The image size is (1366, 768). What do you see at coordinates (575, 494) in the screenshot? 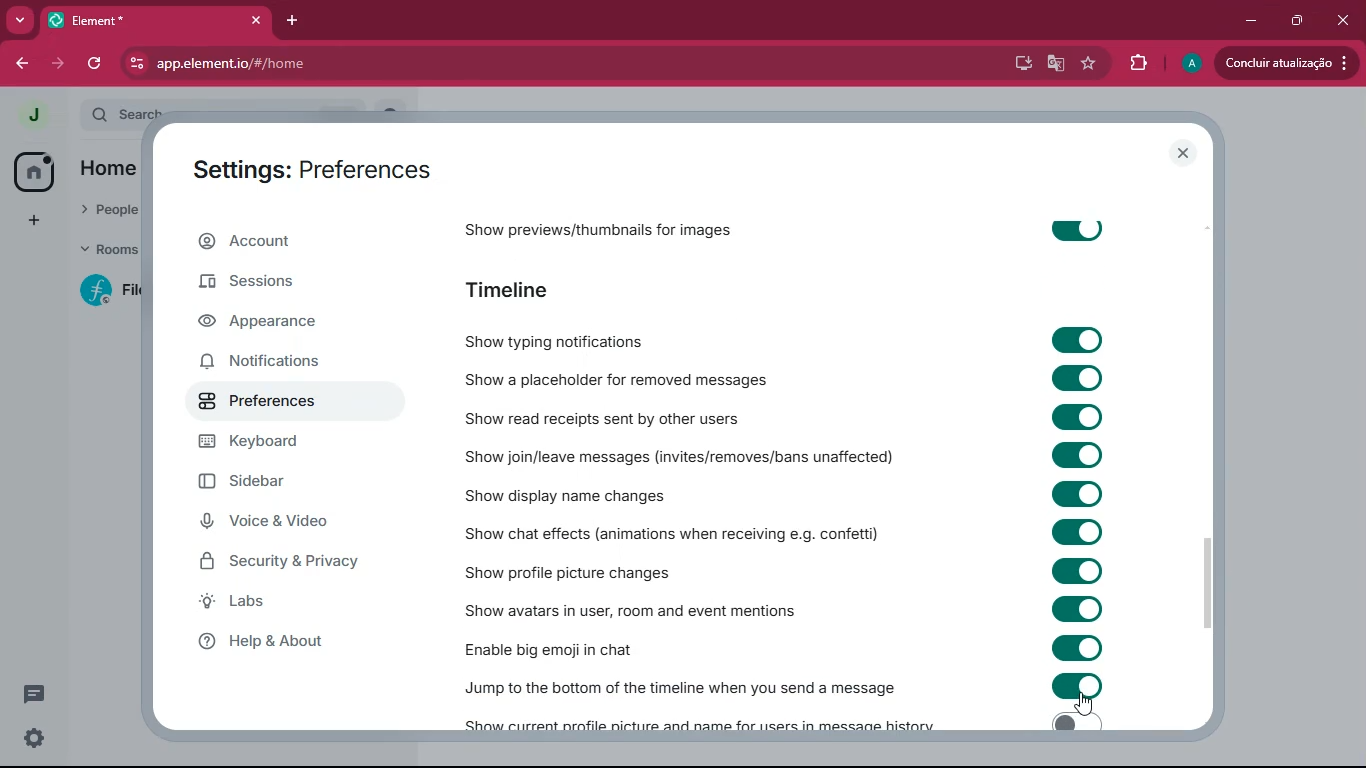
I see `show display name changes` at bounding box center [575, 494].